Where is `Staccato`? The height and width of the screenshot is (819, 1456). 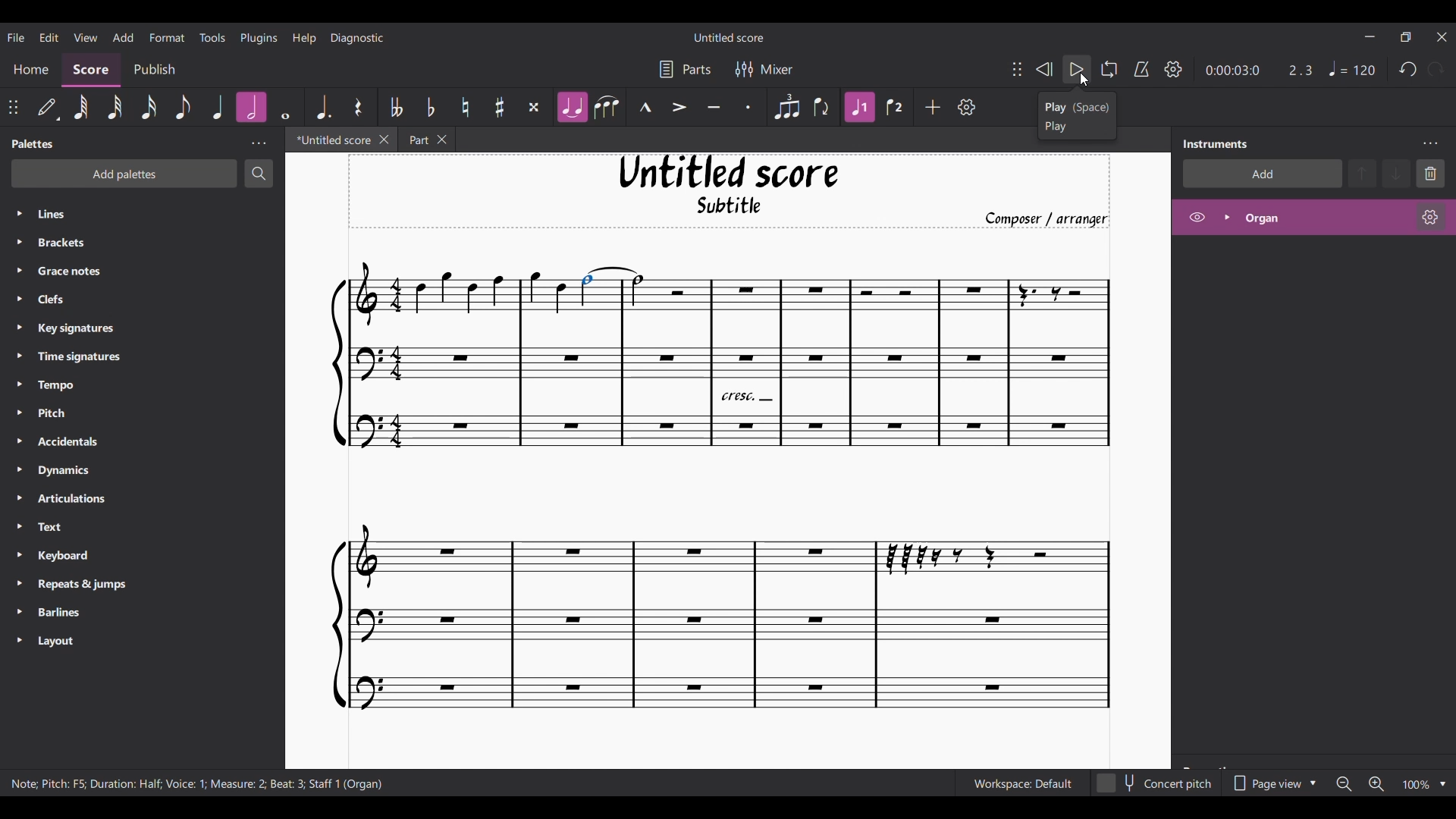
Staccato is located at coordinates (748, 107).